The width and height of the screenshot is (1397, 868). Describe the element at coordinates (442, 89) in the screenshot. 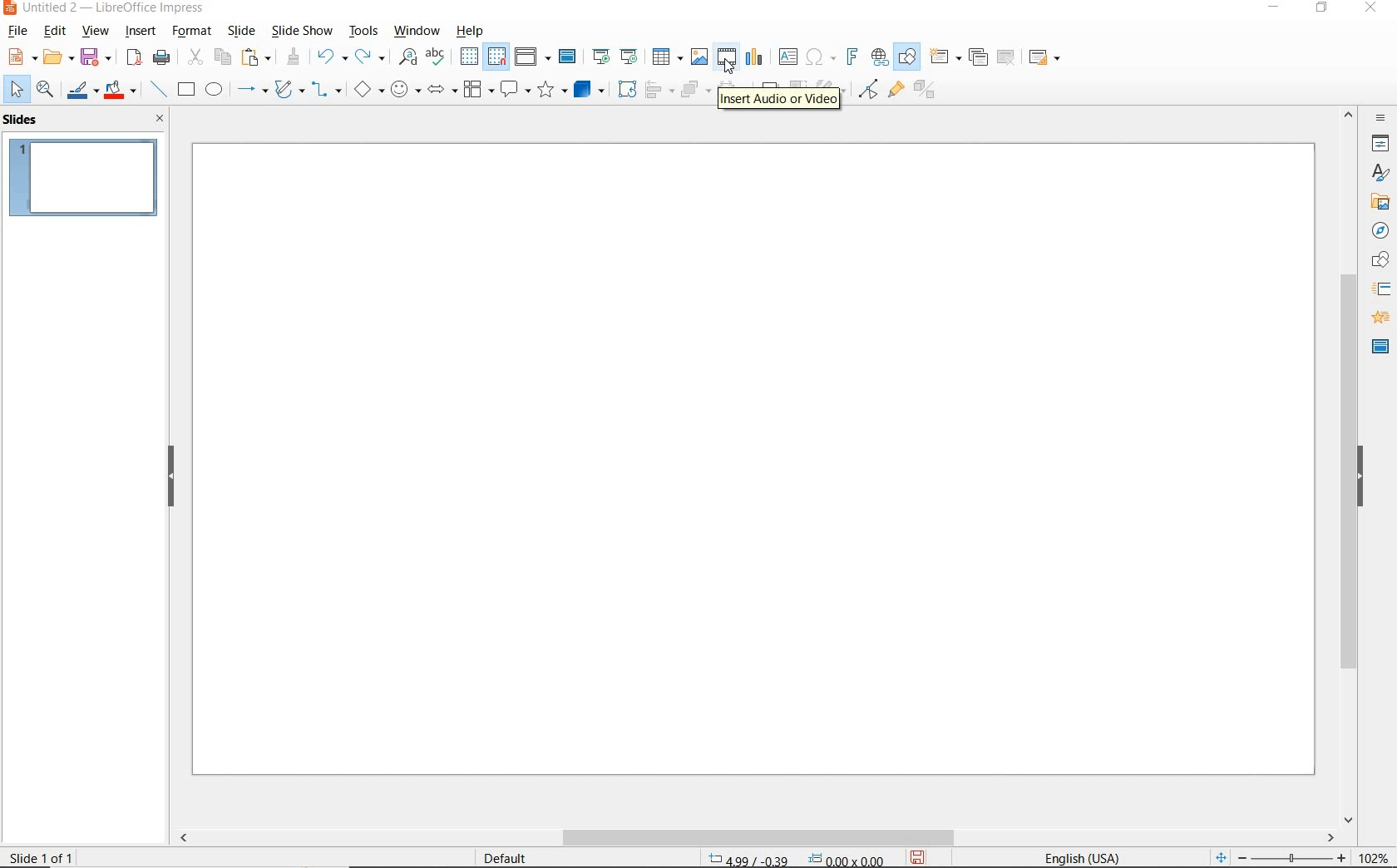

I see `BLOCK ARROWS` at that location.